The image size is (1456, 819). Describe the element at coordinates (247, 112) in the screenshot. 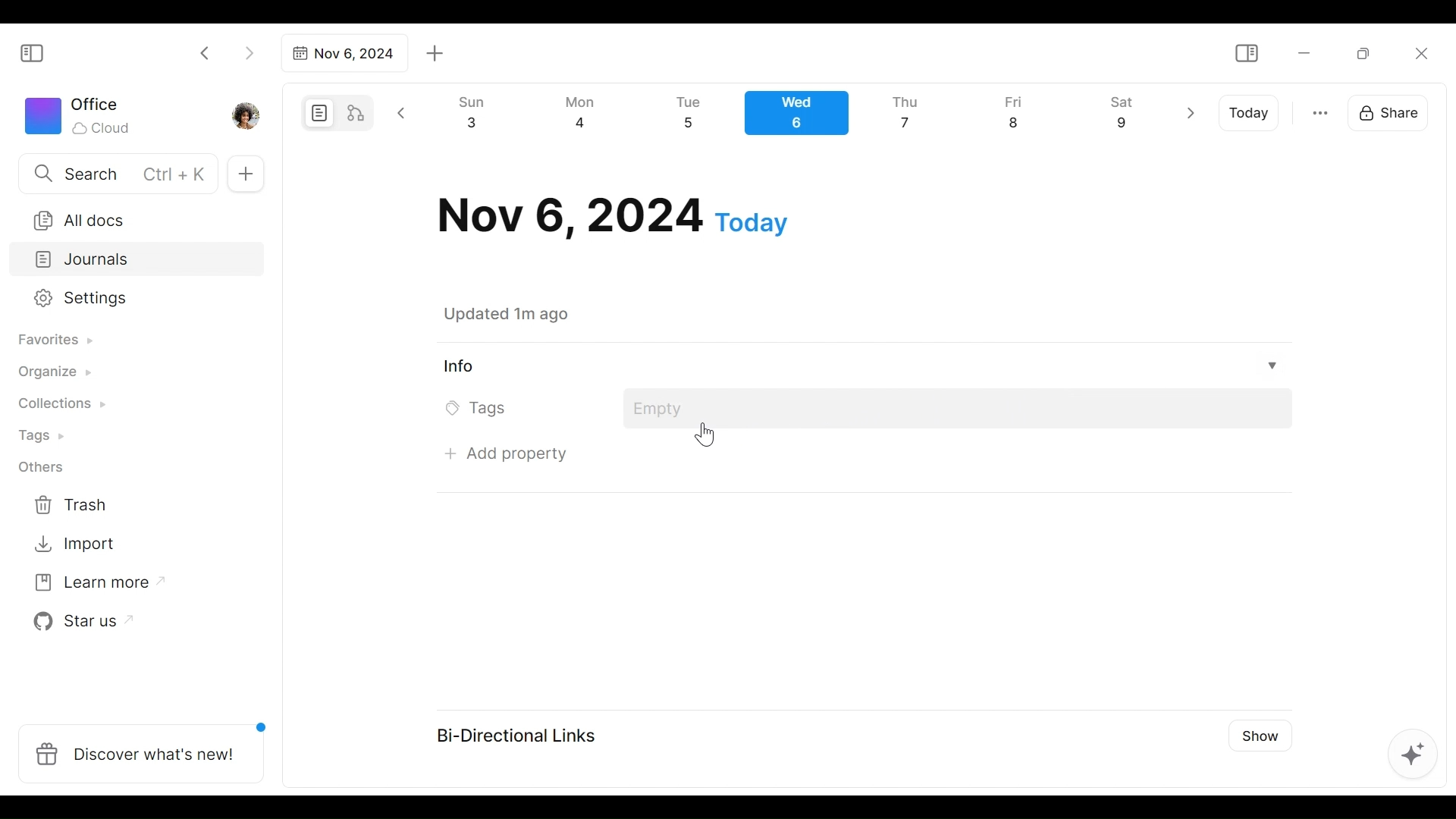

I see `Profile photo` at that location.